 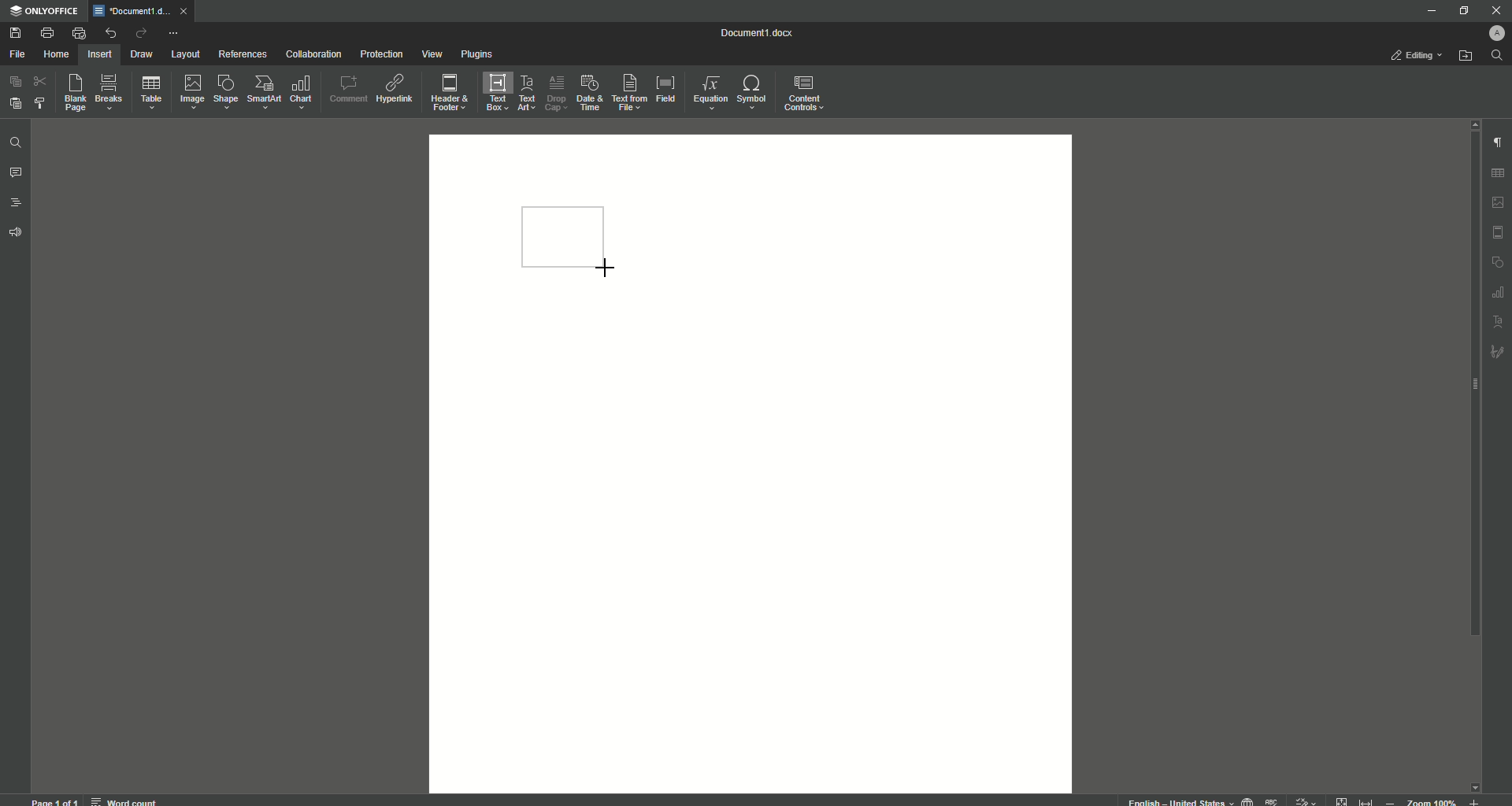 I want to click on Insert, so click(x=98, y=54).